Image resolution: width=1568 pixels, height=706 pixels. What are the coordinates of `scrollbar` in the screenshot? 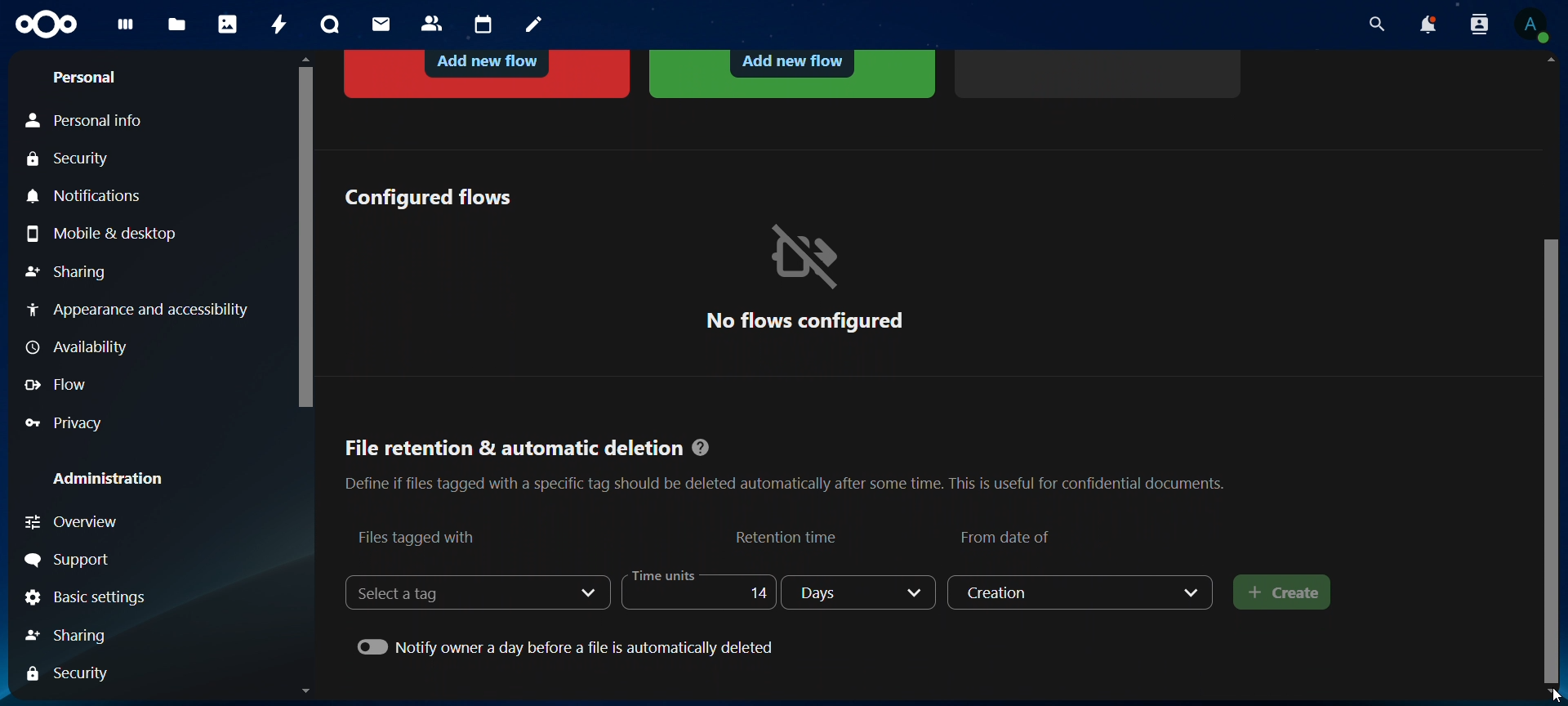 It's located at (1554, 457).